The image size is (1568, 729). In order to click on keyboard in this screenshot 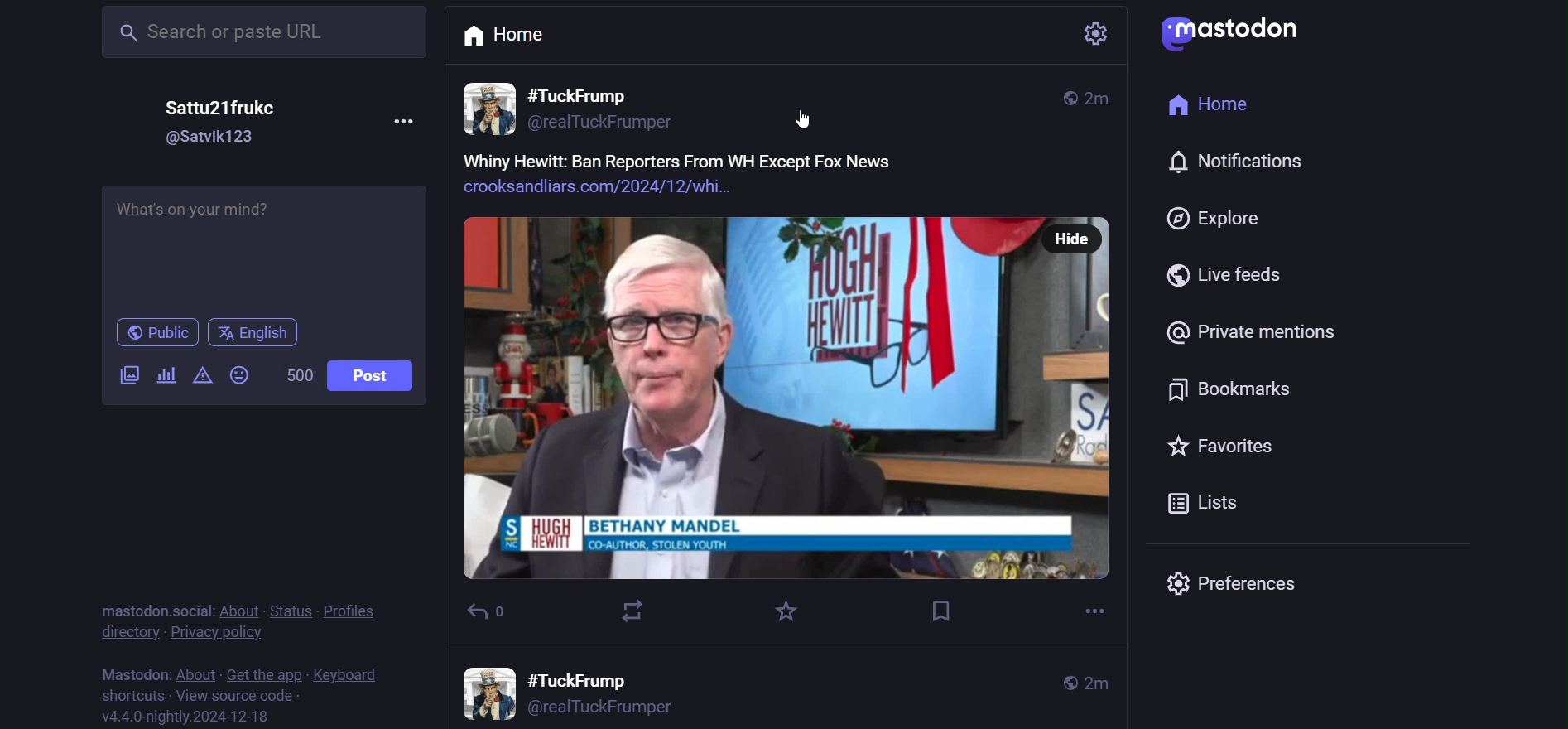, I will do `click(350, 675)`.